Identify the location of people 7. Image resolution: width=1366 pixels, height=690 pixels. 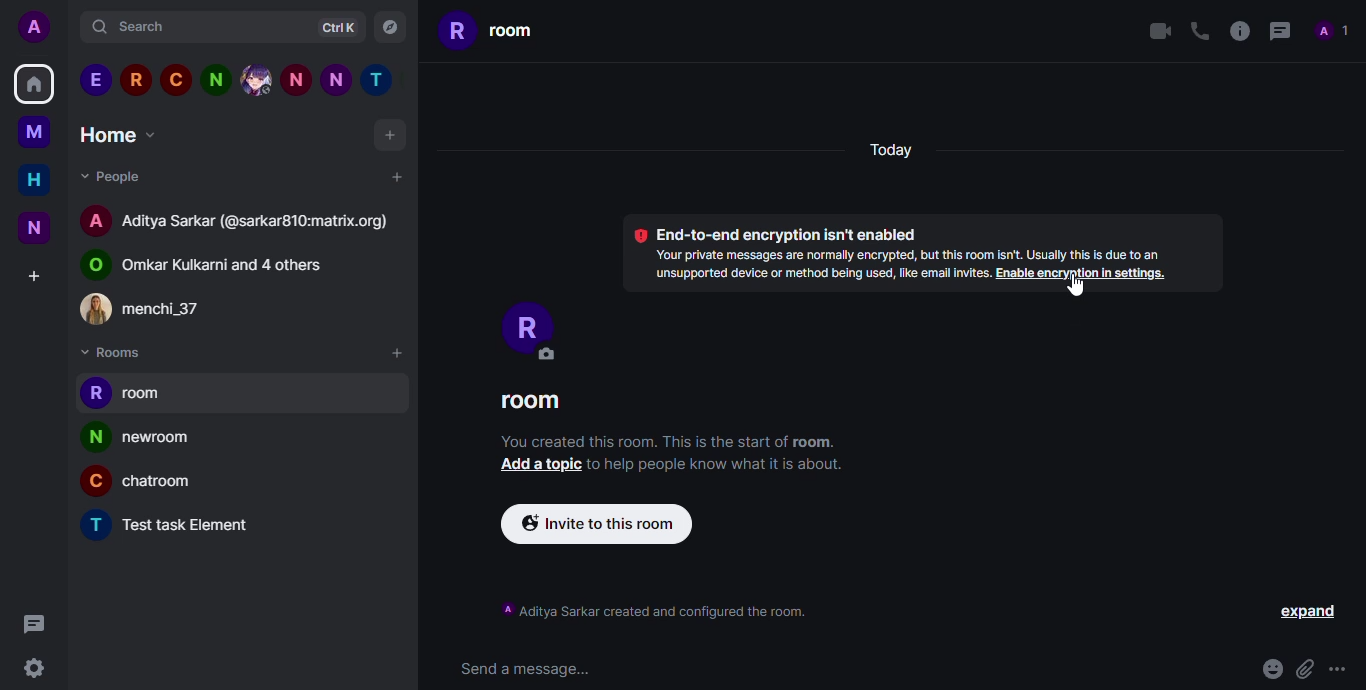
(336, 79).